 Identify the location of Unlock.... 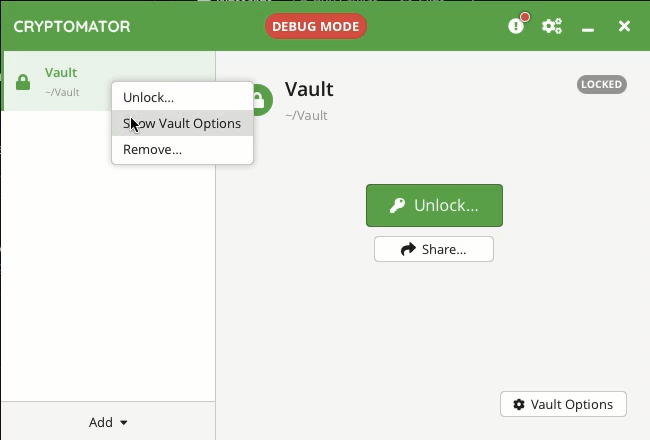
(184, 99).